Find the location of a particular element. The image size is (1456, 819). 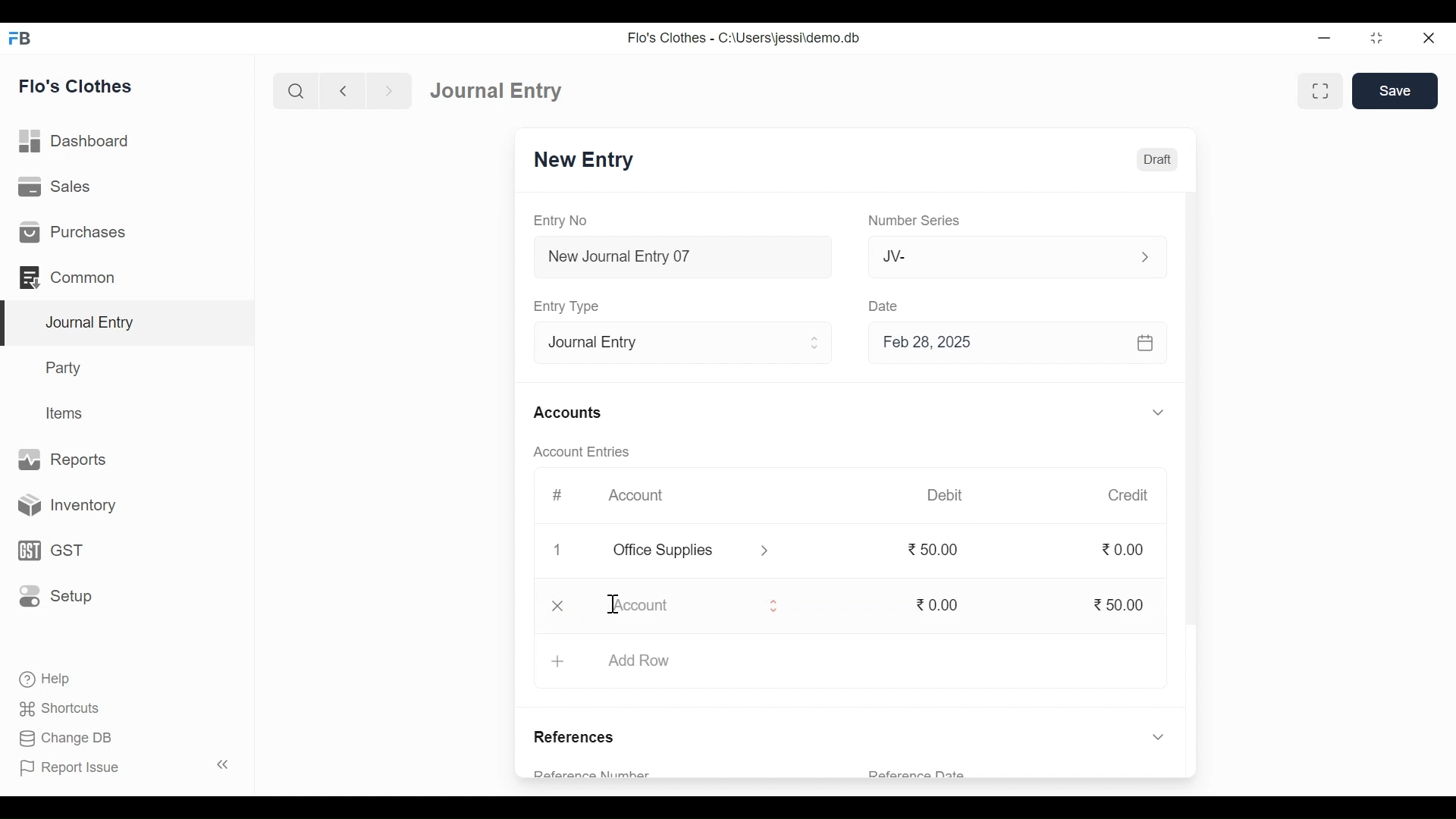

Account Entries is located at coordinates (581, 451).